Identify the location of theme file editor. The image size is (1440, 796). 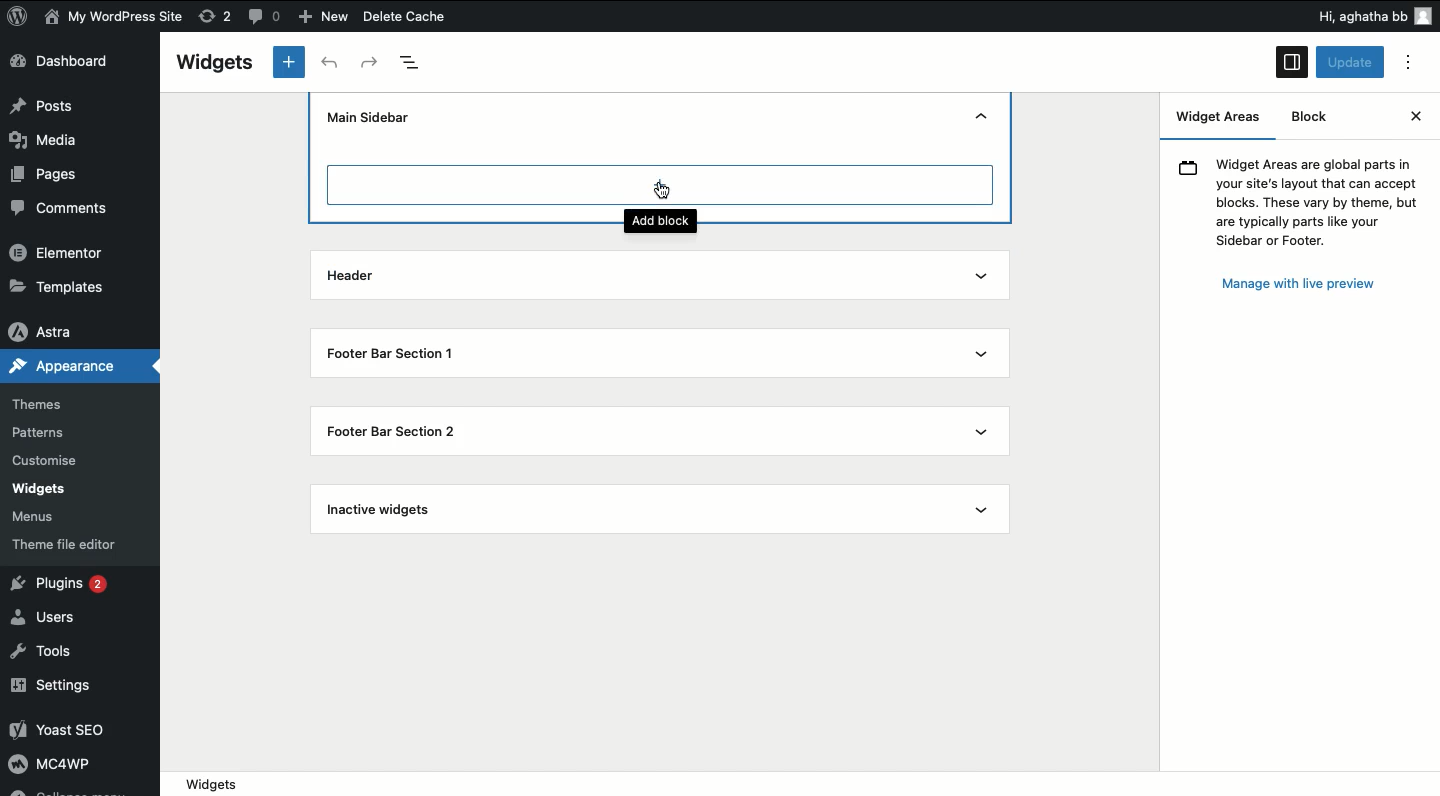
(62, 543).